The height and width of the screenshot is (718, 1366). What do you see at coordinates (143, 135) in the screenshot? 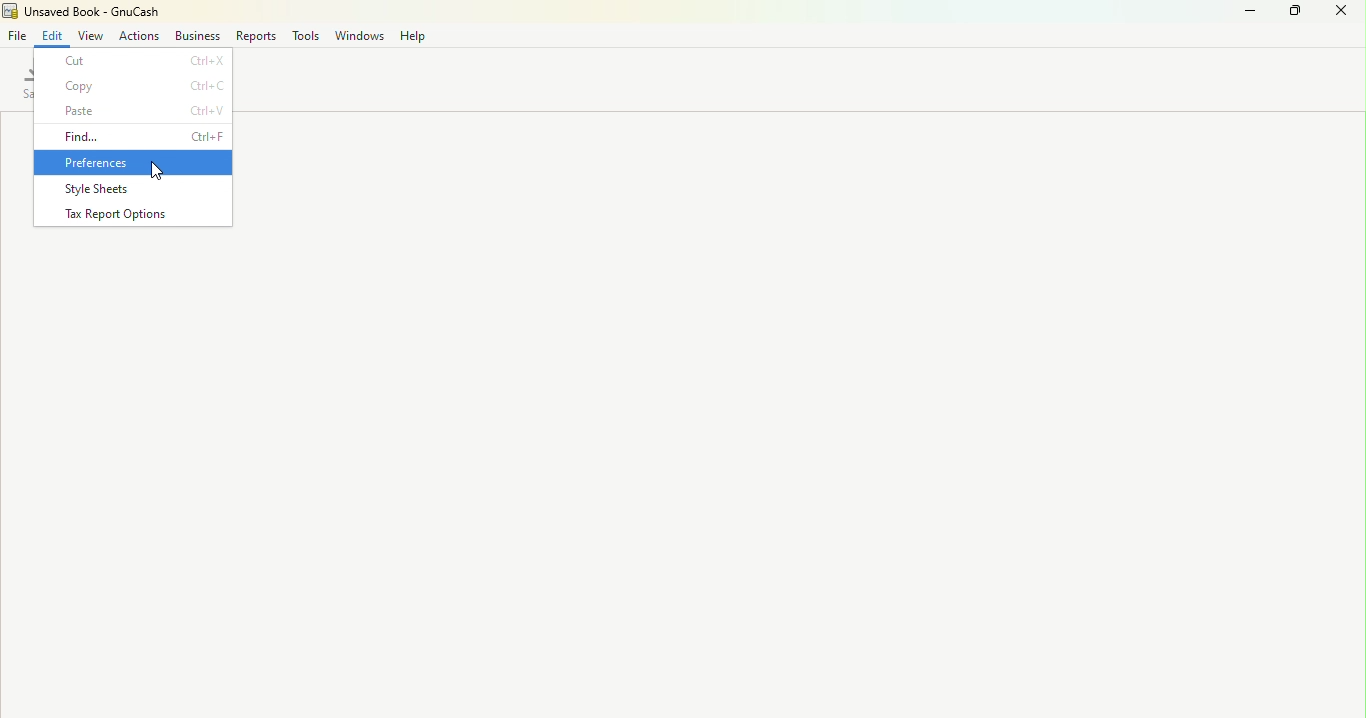
I see `Find` at bounding box center [143, 135].